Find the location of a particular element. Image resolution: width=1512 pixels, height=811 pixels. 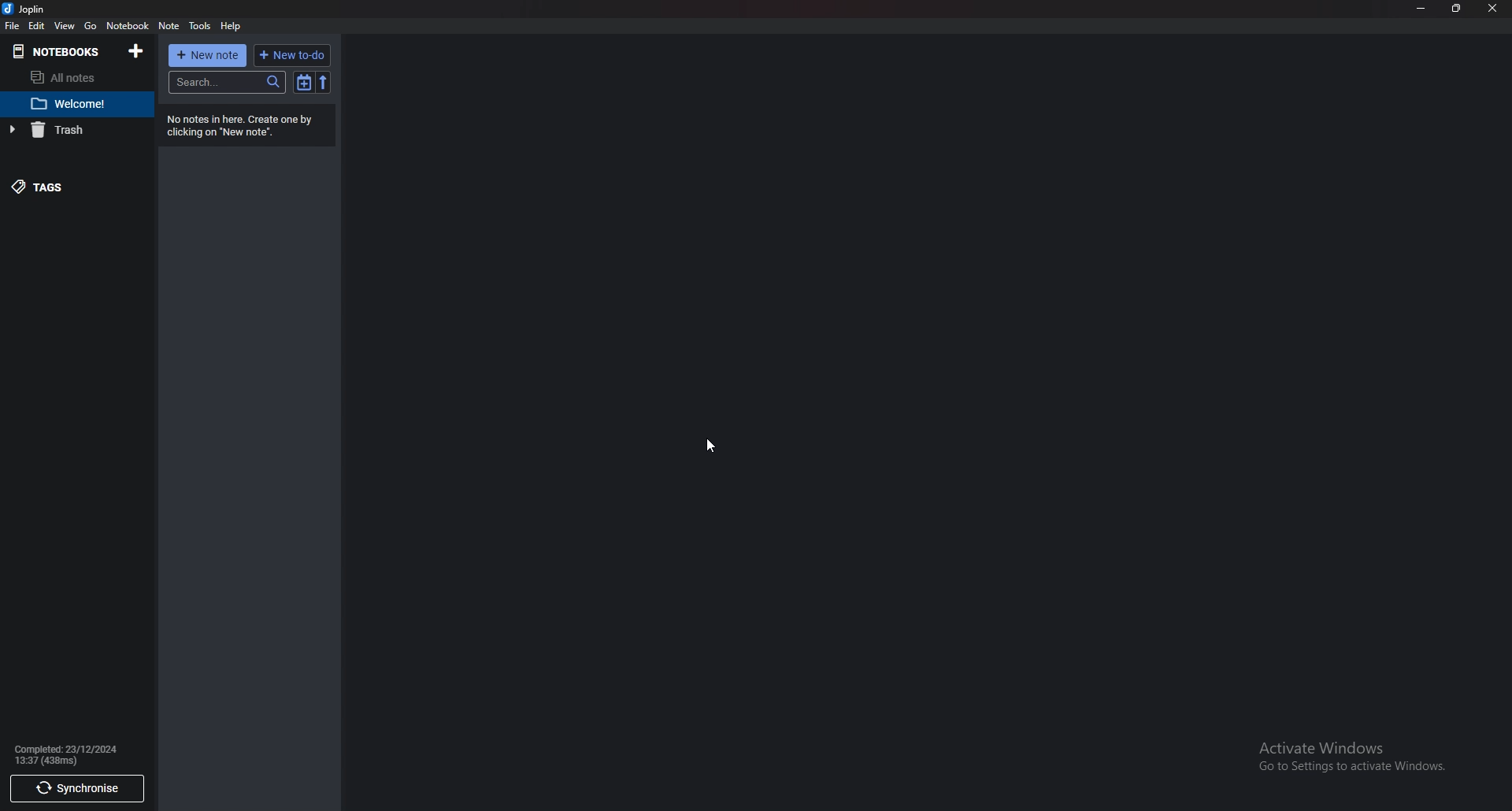

search is located at coordinates (227, 83).